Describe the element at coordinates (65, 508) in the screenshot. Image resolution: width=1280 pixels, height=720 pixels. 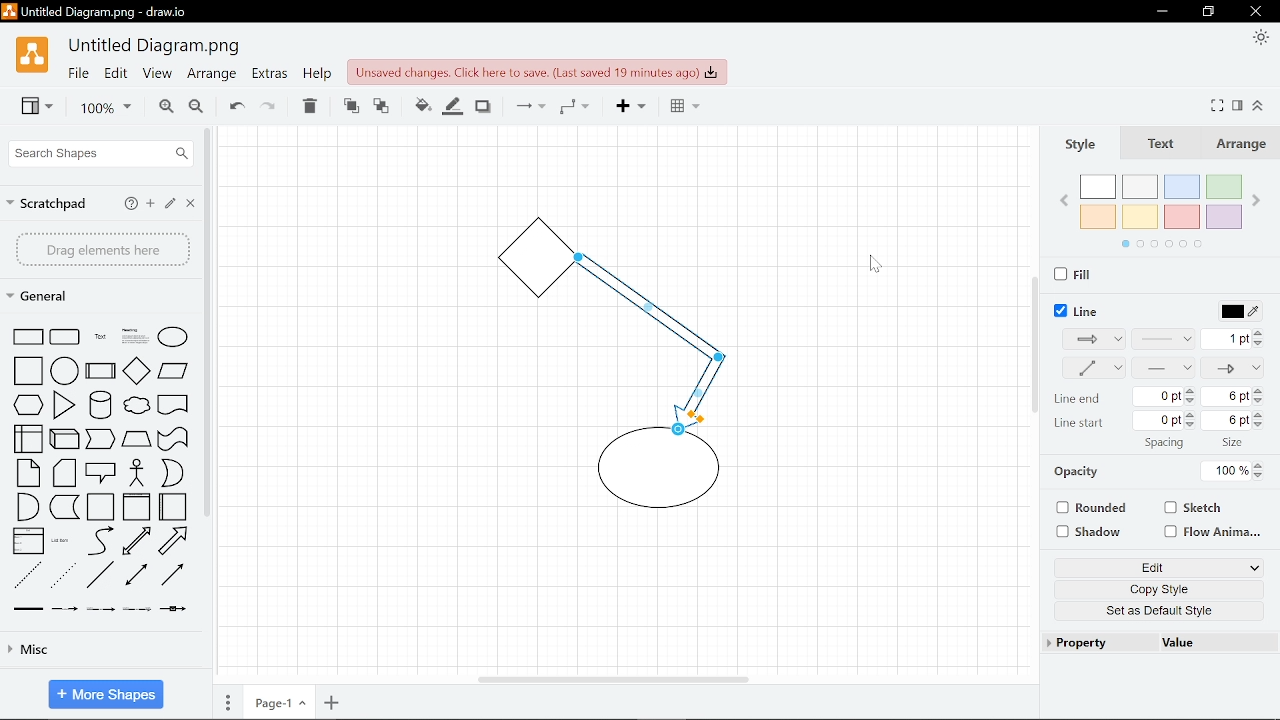
I see `shape` at that location.